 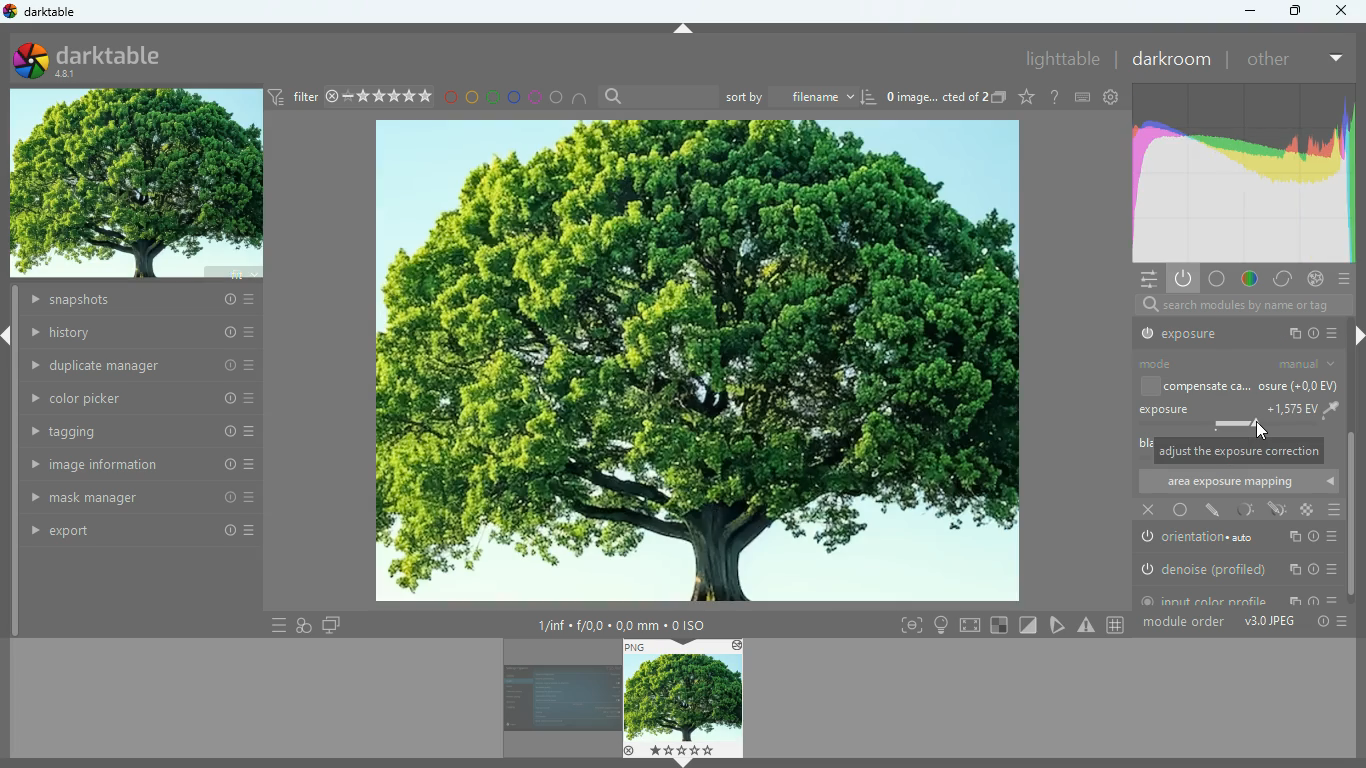 I want to click on search, so click(x=1235, y=304).